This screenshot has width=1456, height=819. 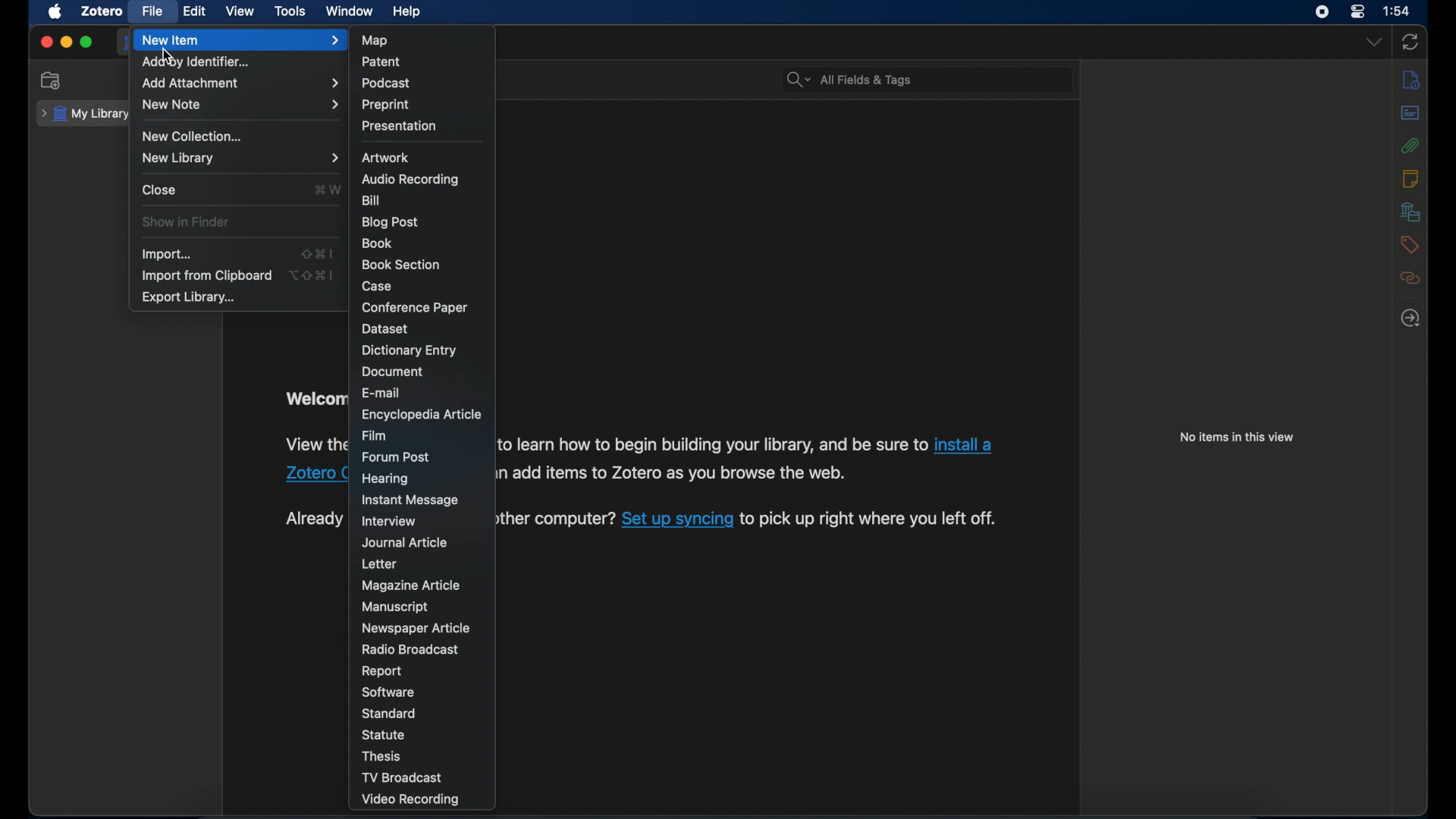 I want to click on radio broadcast, so click(x=409, y=649).